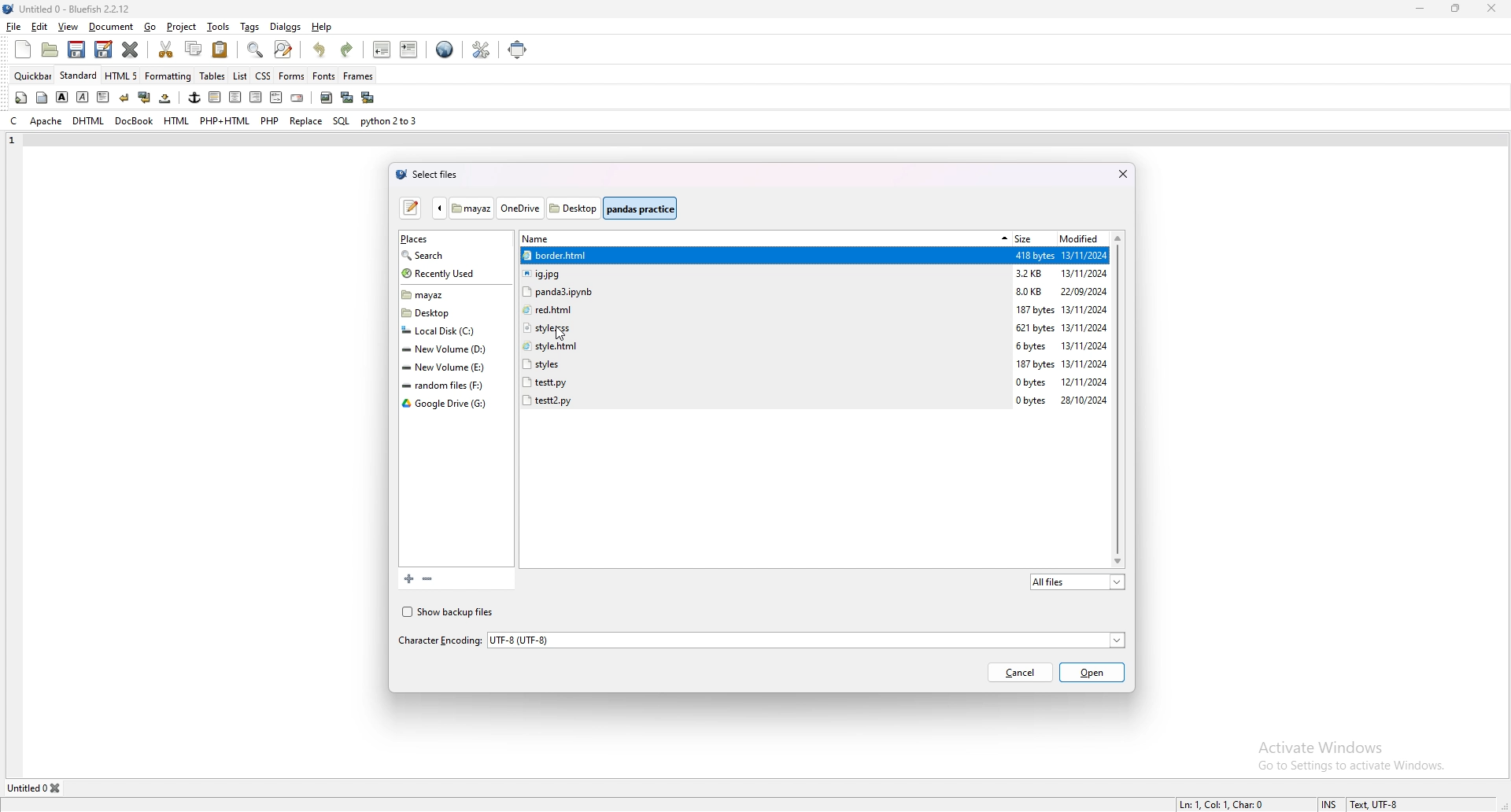  Describe the element at coordinates (547, 239) in the screenshot. I see `name` at that location.